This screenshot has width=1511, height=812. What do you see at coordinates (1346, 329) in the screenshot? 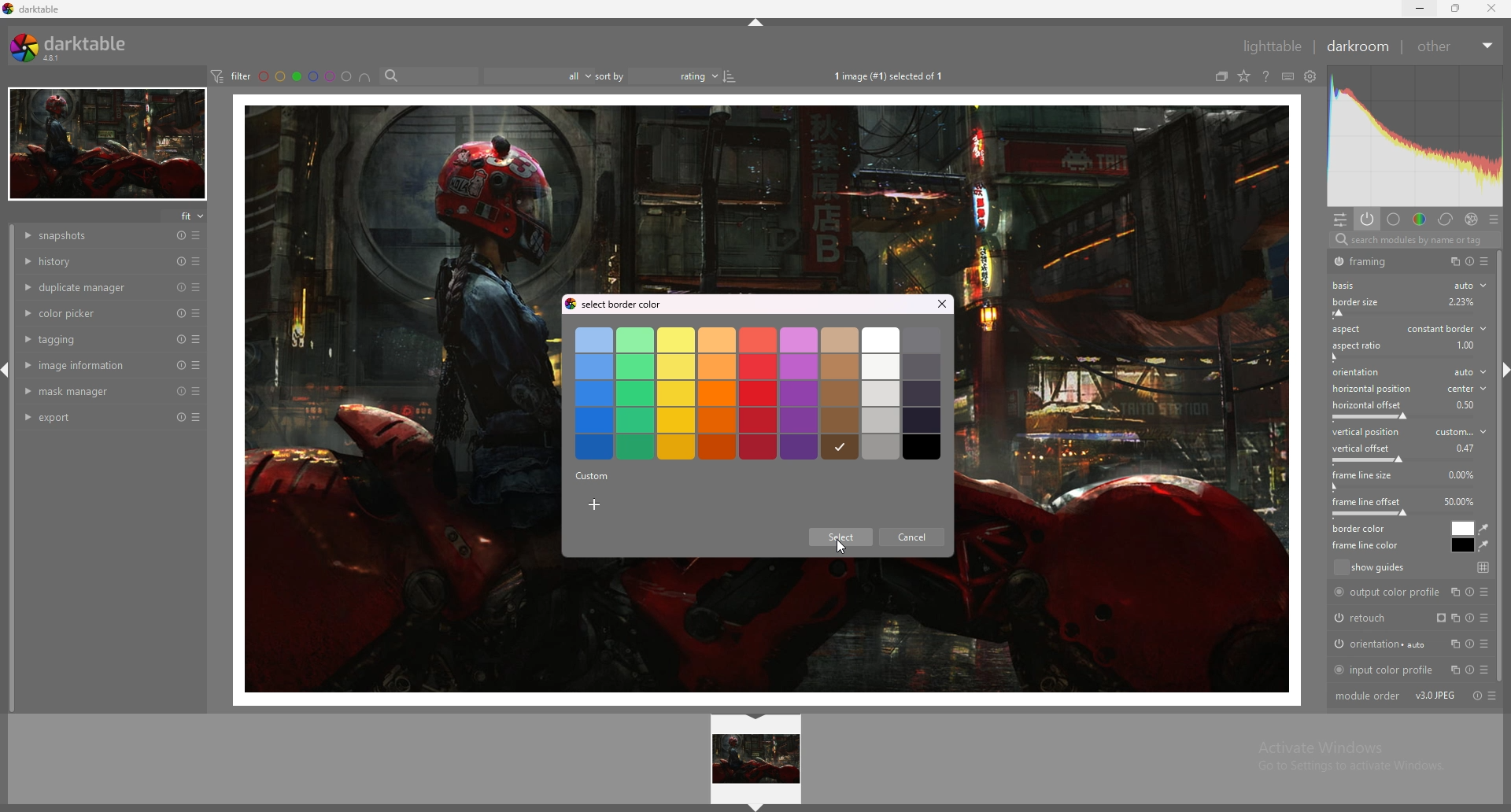
I see `aspect` at bounding box center [1346, 329].